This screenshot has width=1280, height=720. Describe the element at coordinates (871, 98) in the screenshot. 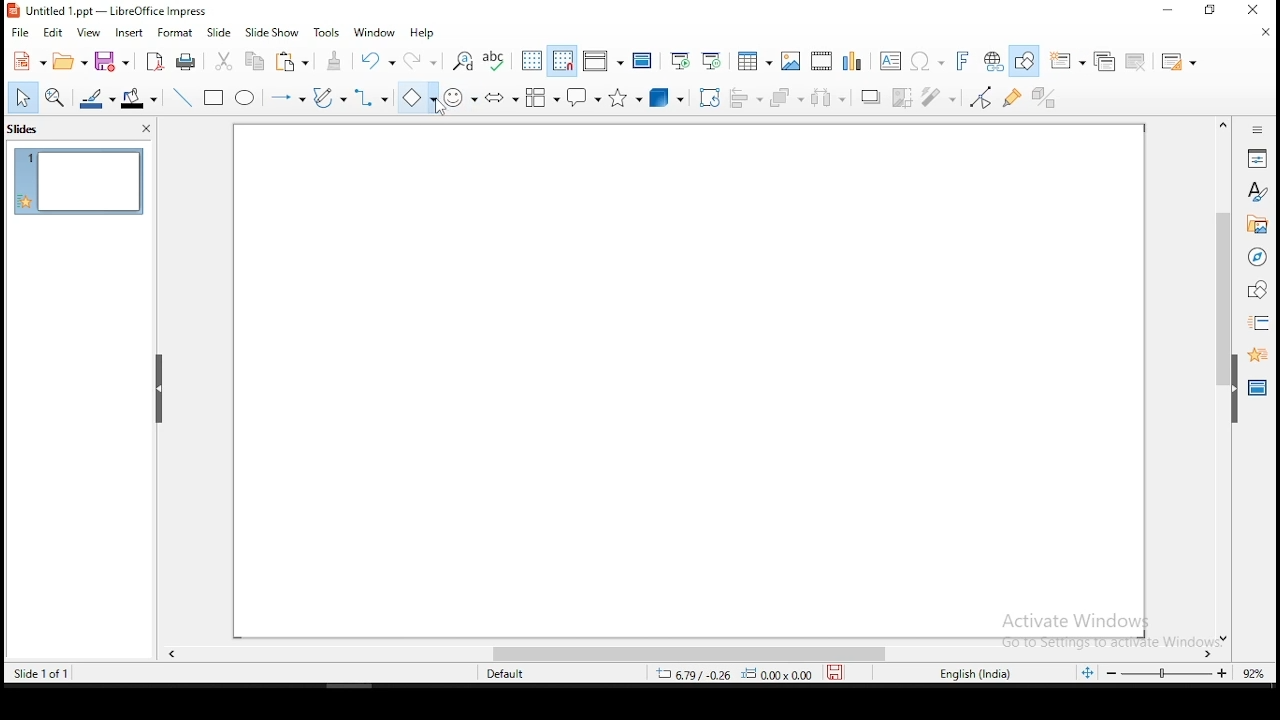

I see `shadow` at that location.